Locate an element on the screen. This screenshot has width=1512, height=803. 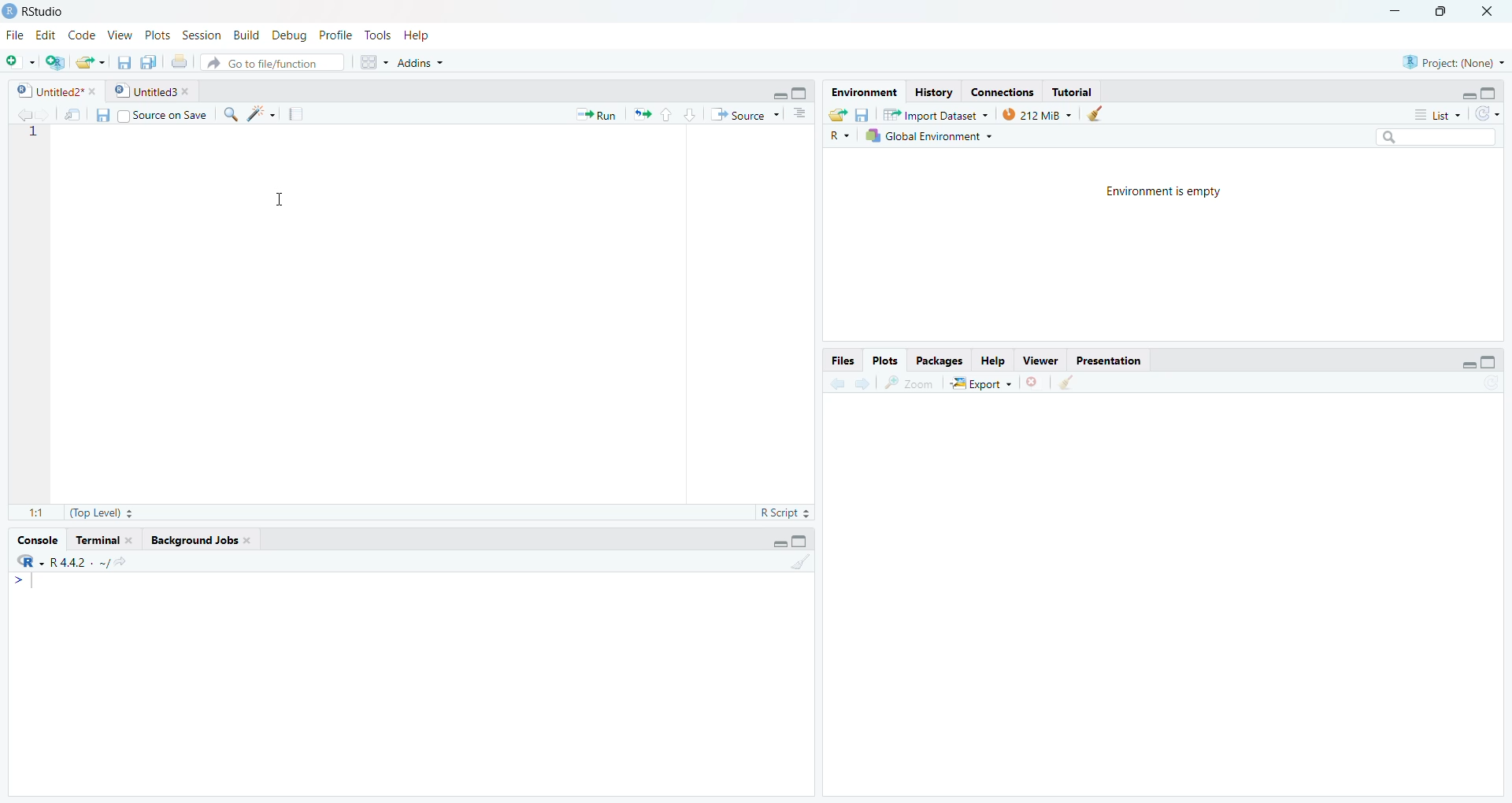
maximize is located at coordinates (803, 96).